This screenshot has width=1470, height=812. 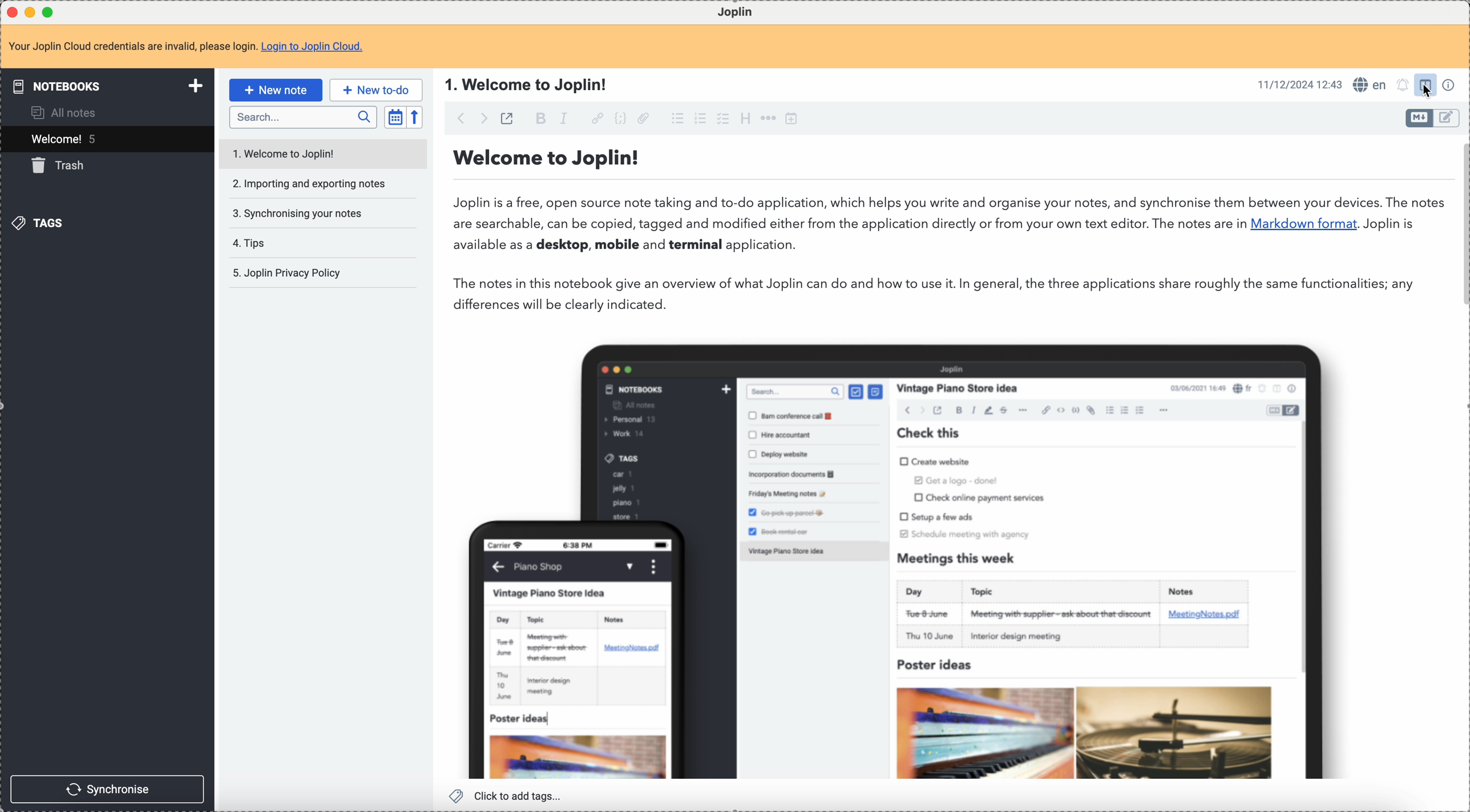 What do you see at coordinates (302, 118) in the screenshot?
I see `search bar` at bounding box center [302, 118].